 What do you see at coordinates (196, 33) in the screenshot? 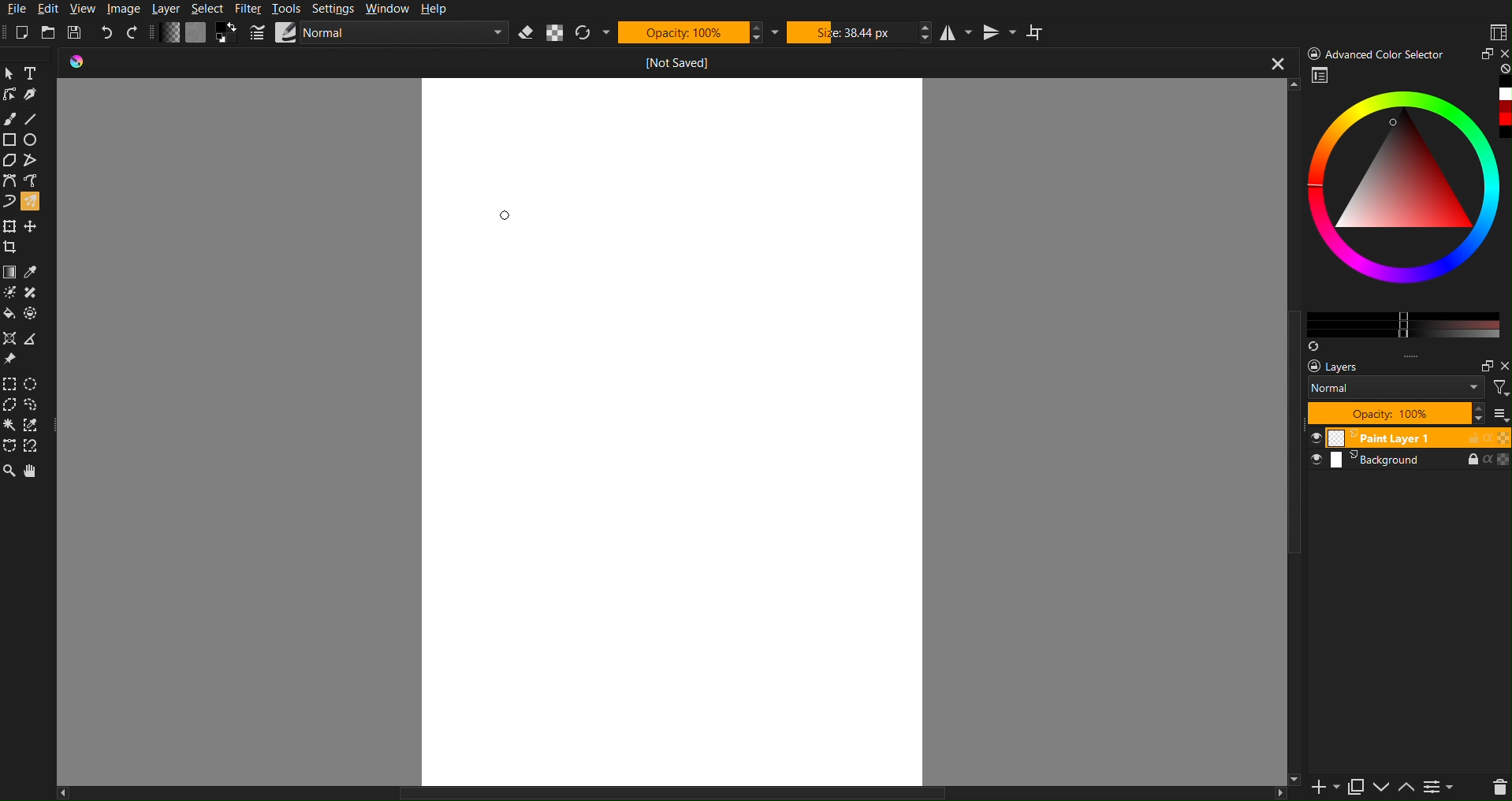
I see `Texture` at bounding box center [196, 33].